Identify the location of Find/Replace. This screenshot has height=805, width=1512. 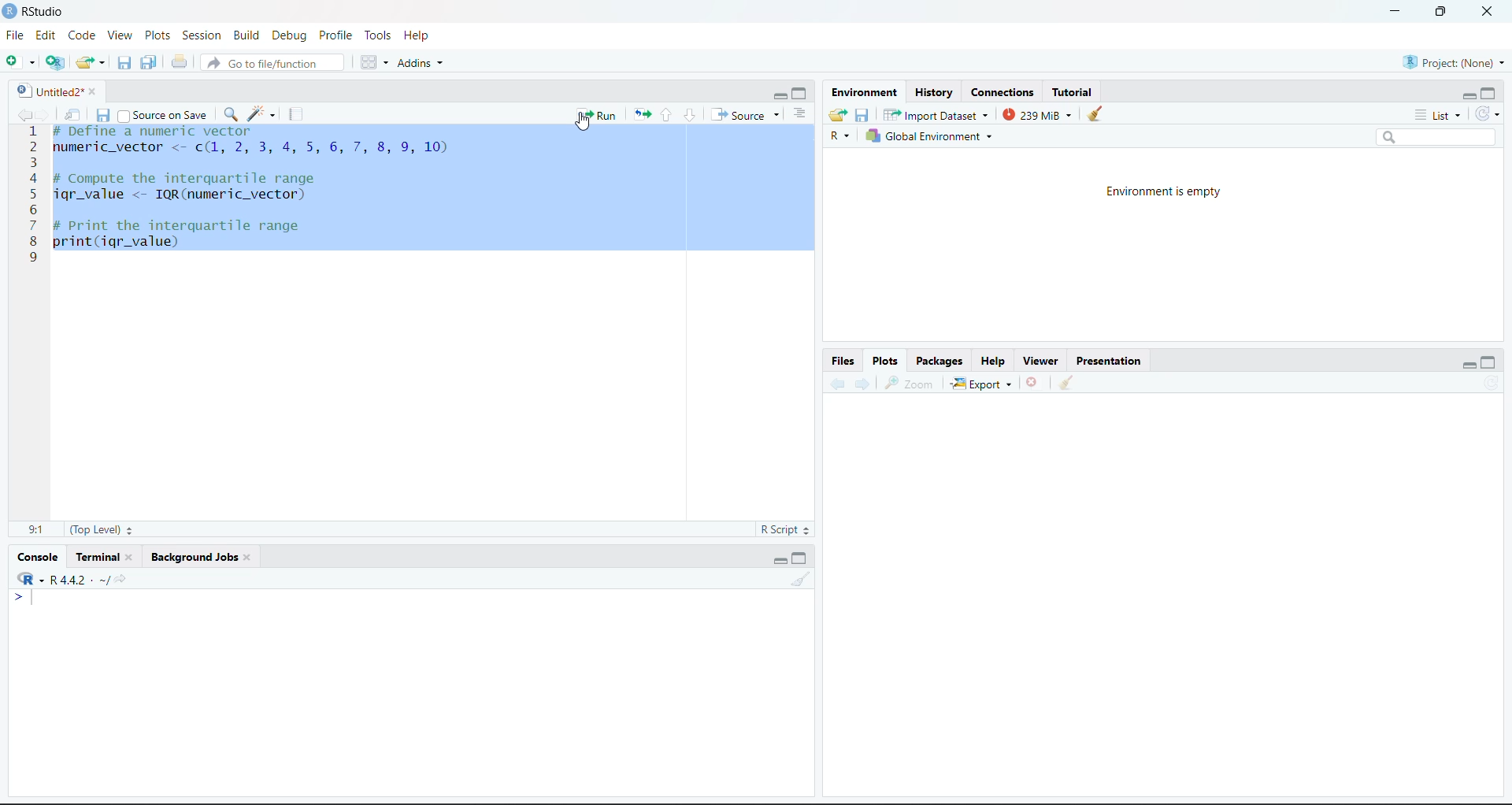
(231, 113).